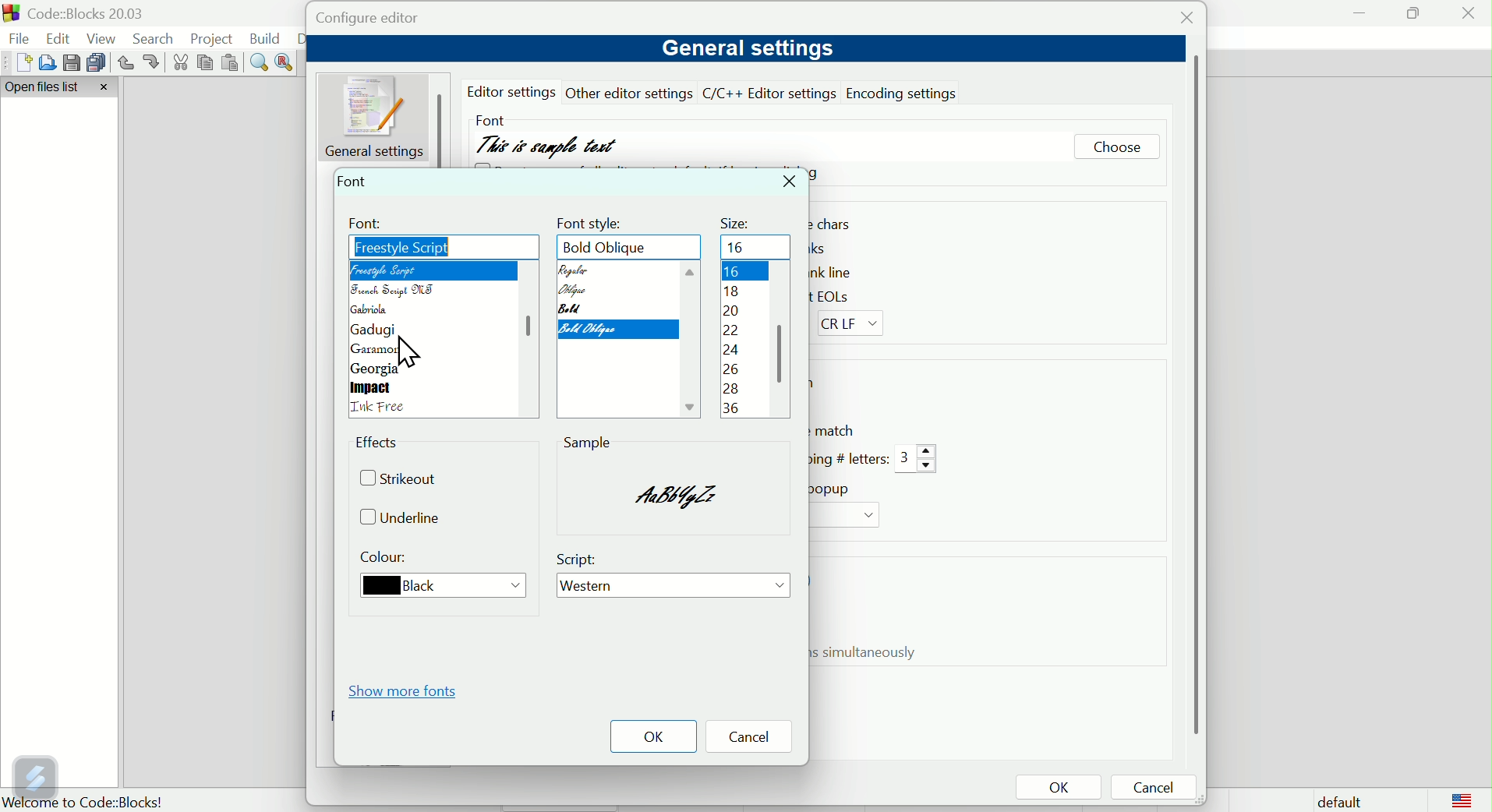 This screenshot has height=812, width=1492. I want to click on Cancel, so click(749, 738).